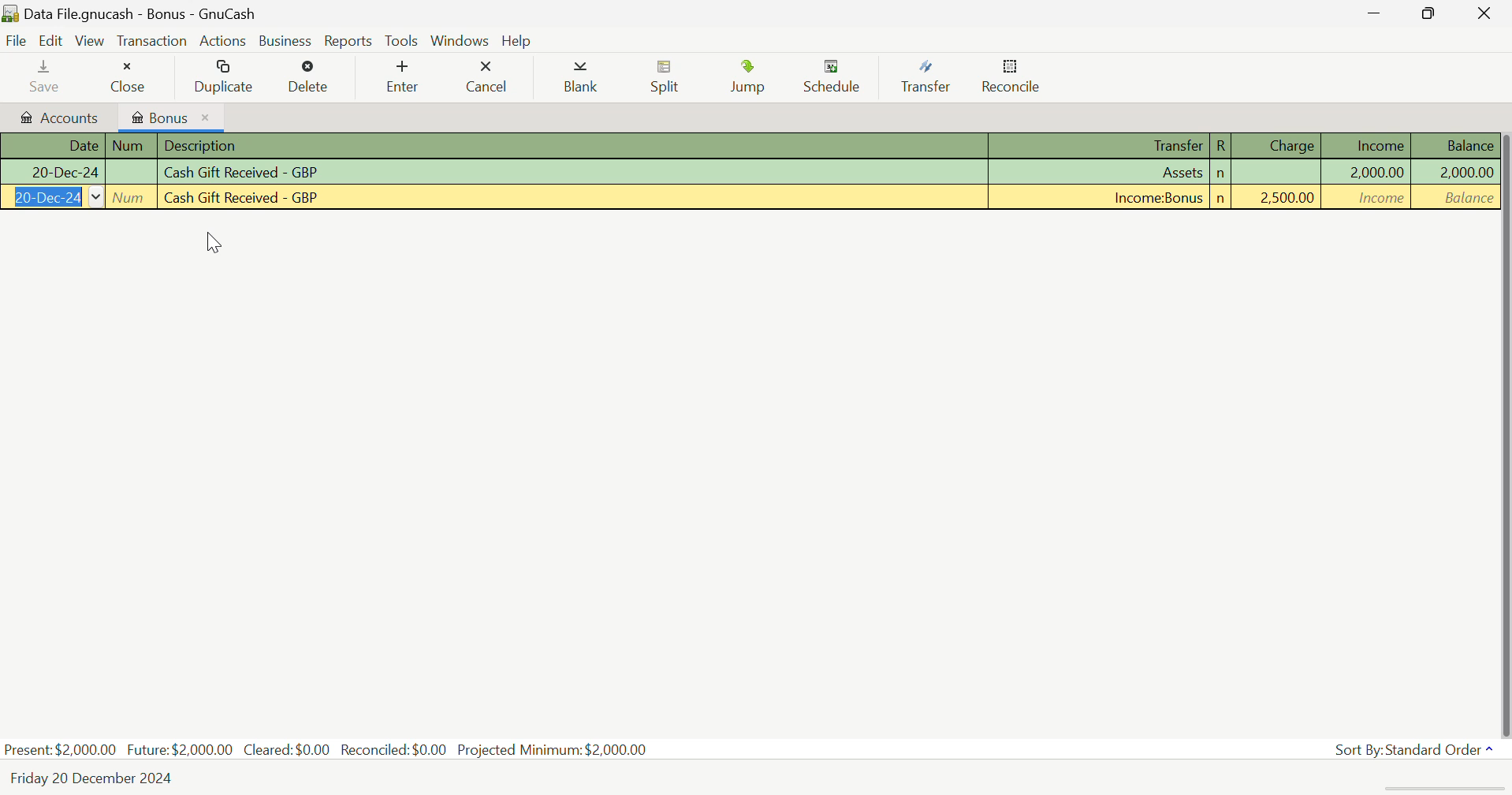 This screenshot has height=795, width=1512. Describe the element at coordinates (1101, 147) in the screenshot. I see `Transfer` at that location.